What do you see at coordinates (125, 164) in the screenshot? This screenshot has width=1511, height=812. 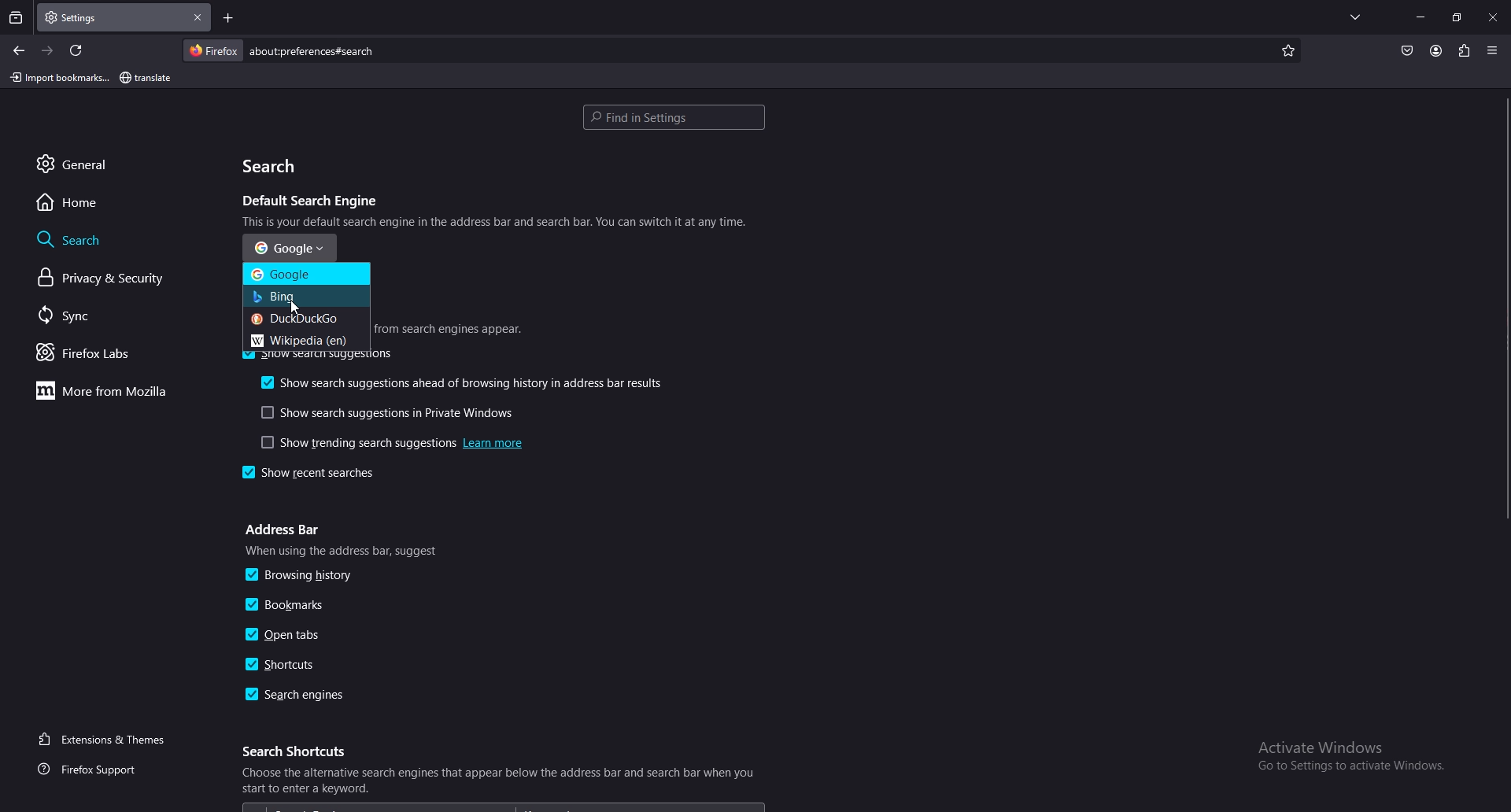 I see `general` at bounding box center [125, 164].